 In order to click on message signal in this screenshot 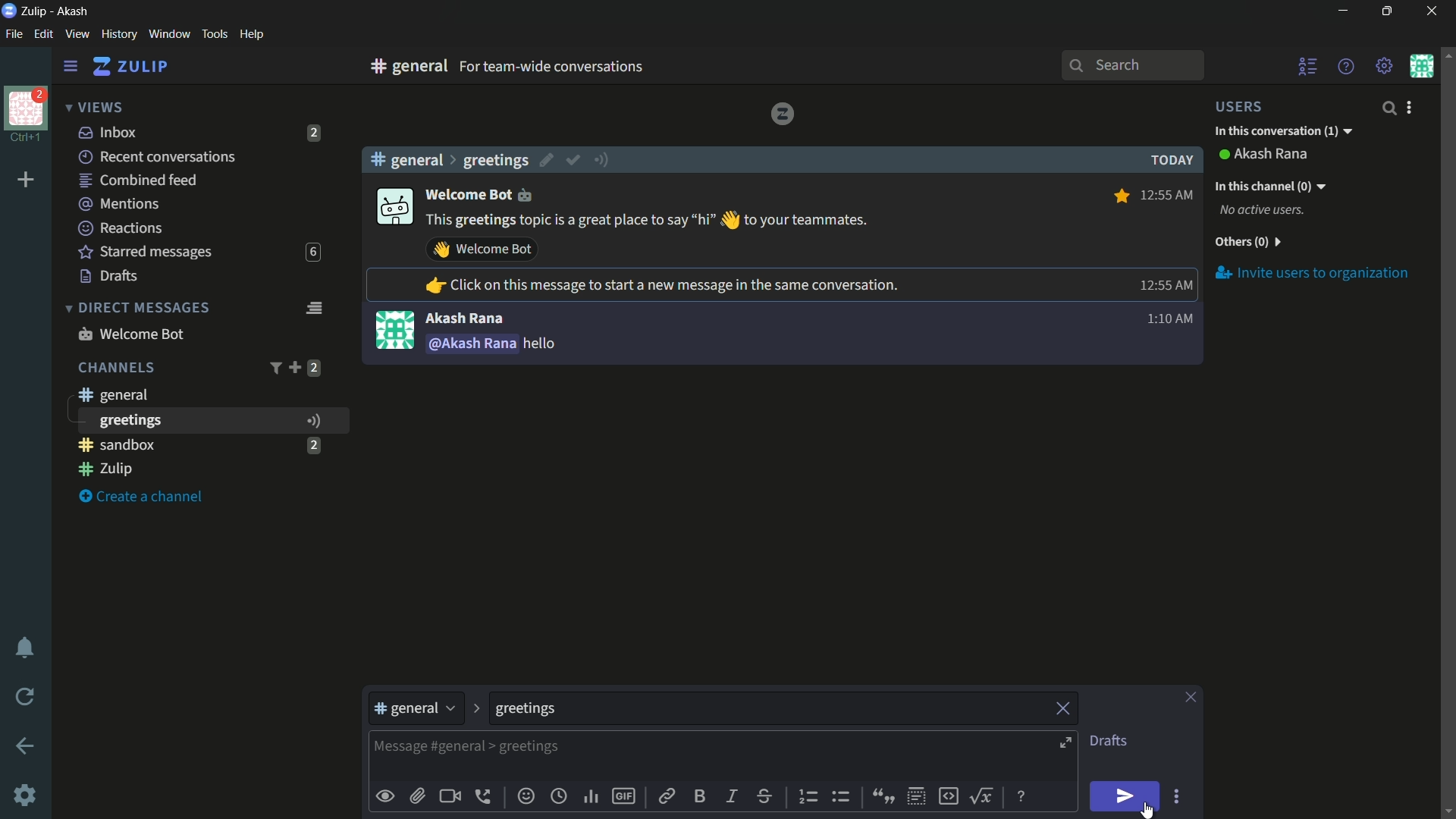, I will do `click(312, 421)`.